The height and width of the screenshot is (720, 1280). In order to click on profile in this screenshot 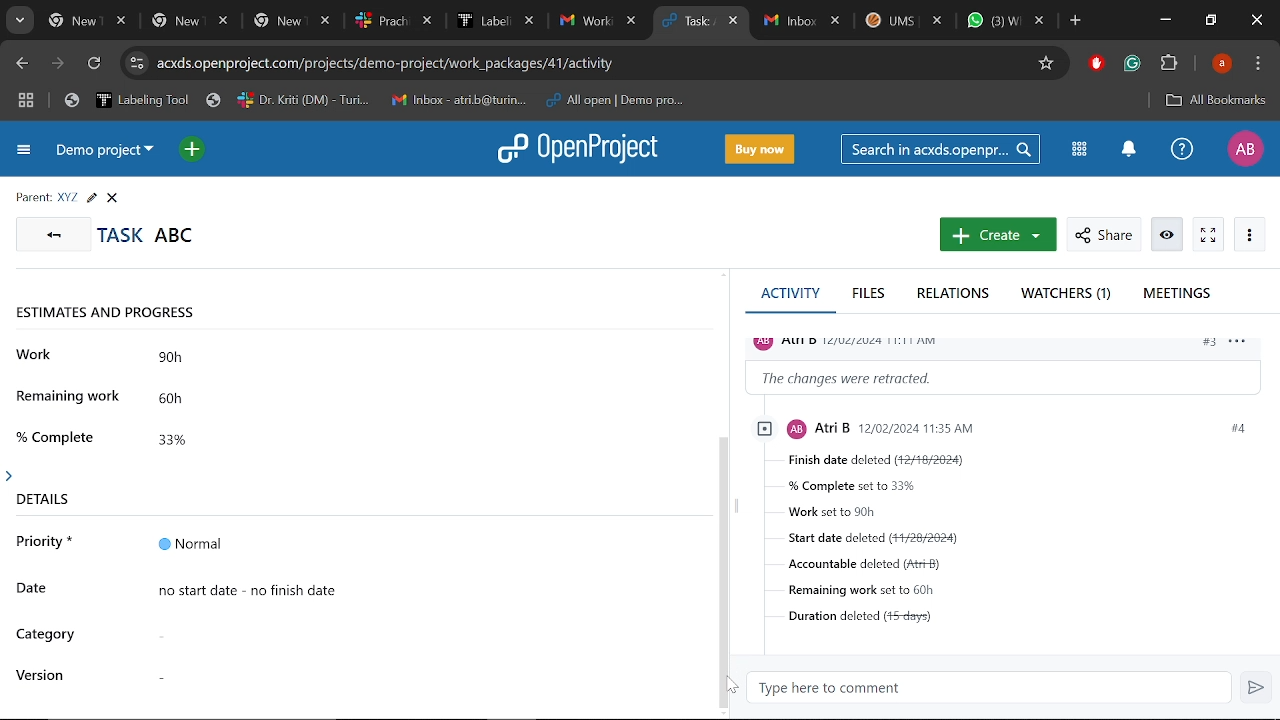, I will do `click(855, 341)`.